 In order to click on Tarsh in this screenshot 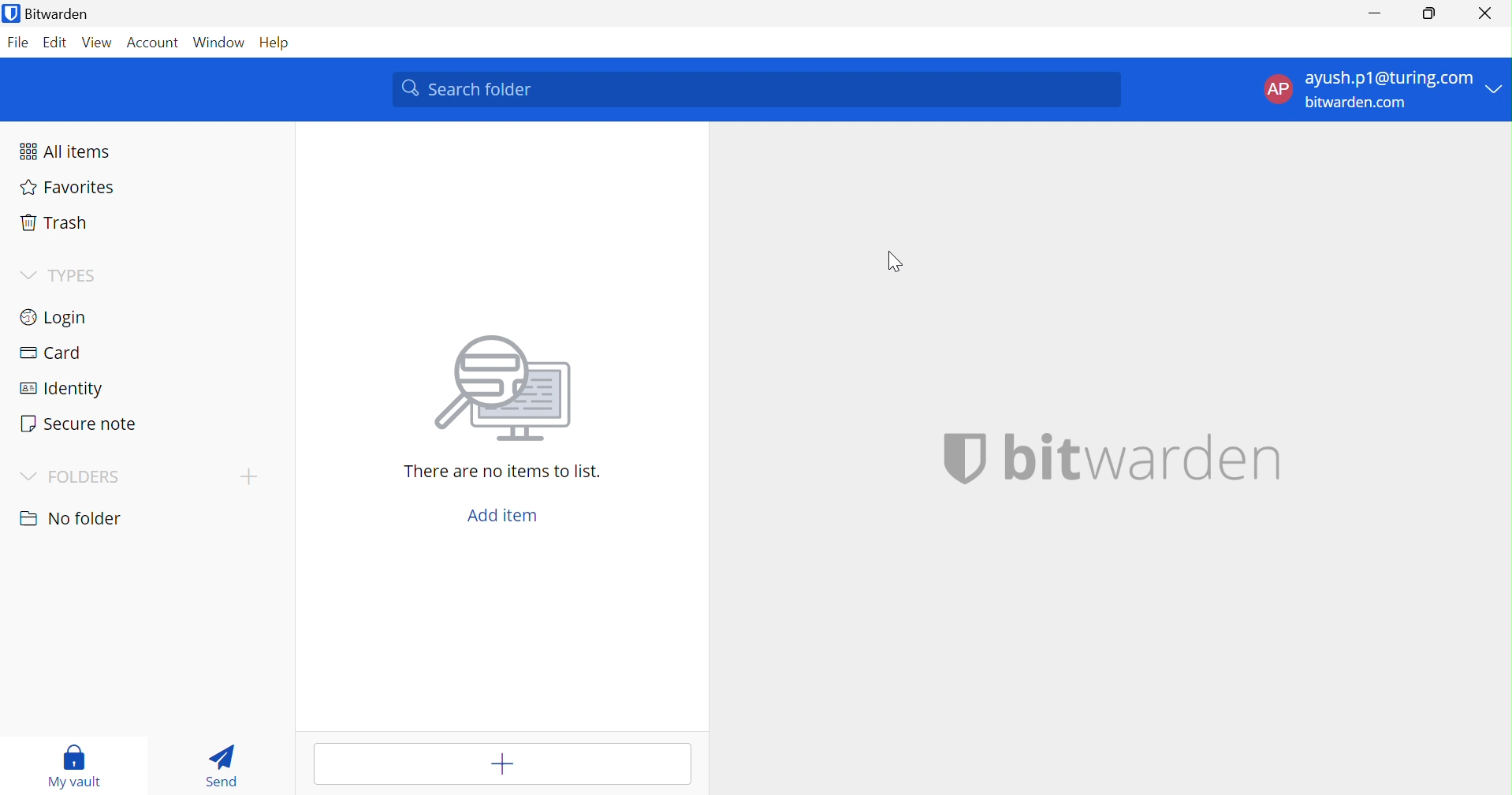, I will do `click(59, 222)`.